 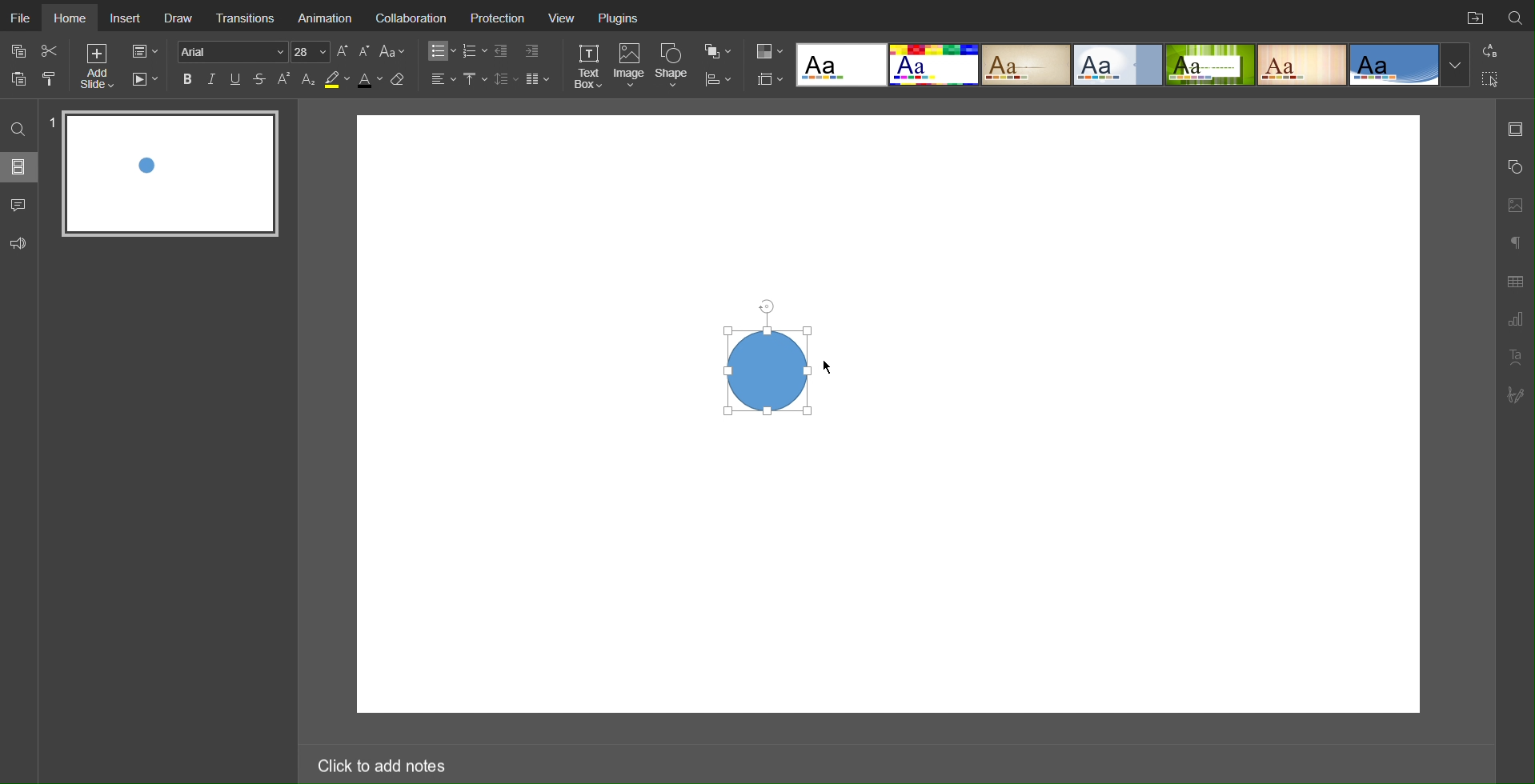 What do you see at coordinates (717, 50) in the screenshot?
I see `Arrangement` at bounding box center [717, 50].